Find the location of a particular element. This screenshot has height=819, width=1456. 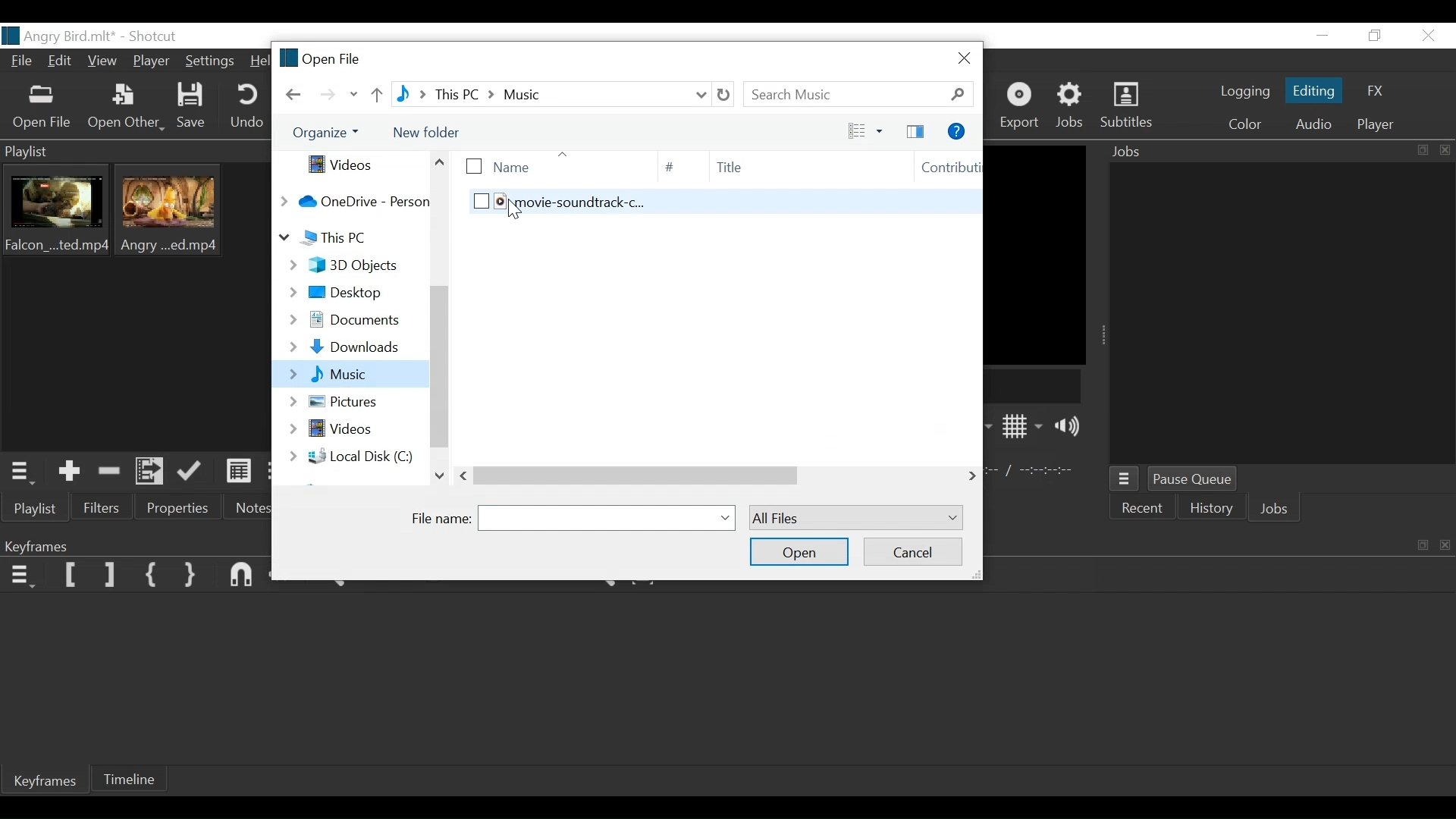

Audio is located at coordinates (1313, 123).